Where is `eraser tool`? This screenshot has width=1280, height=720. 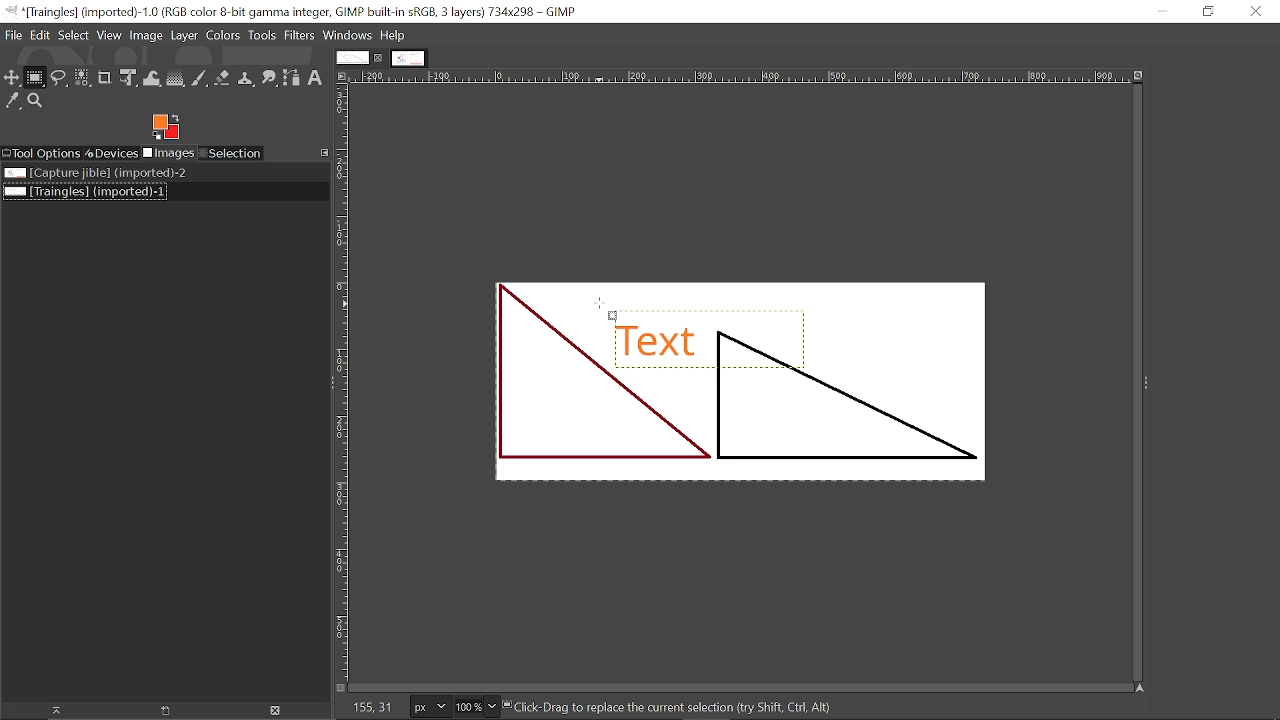 eraser tool is located at coordinates (223, 80).